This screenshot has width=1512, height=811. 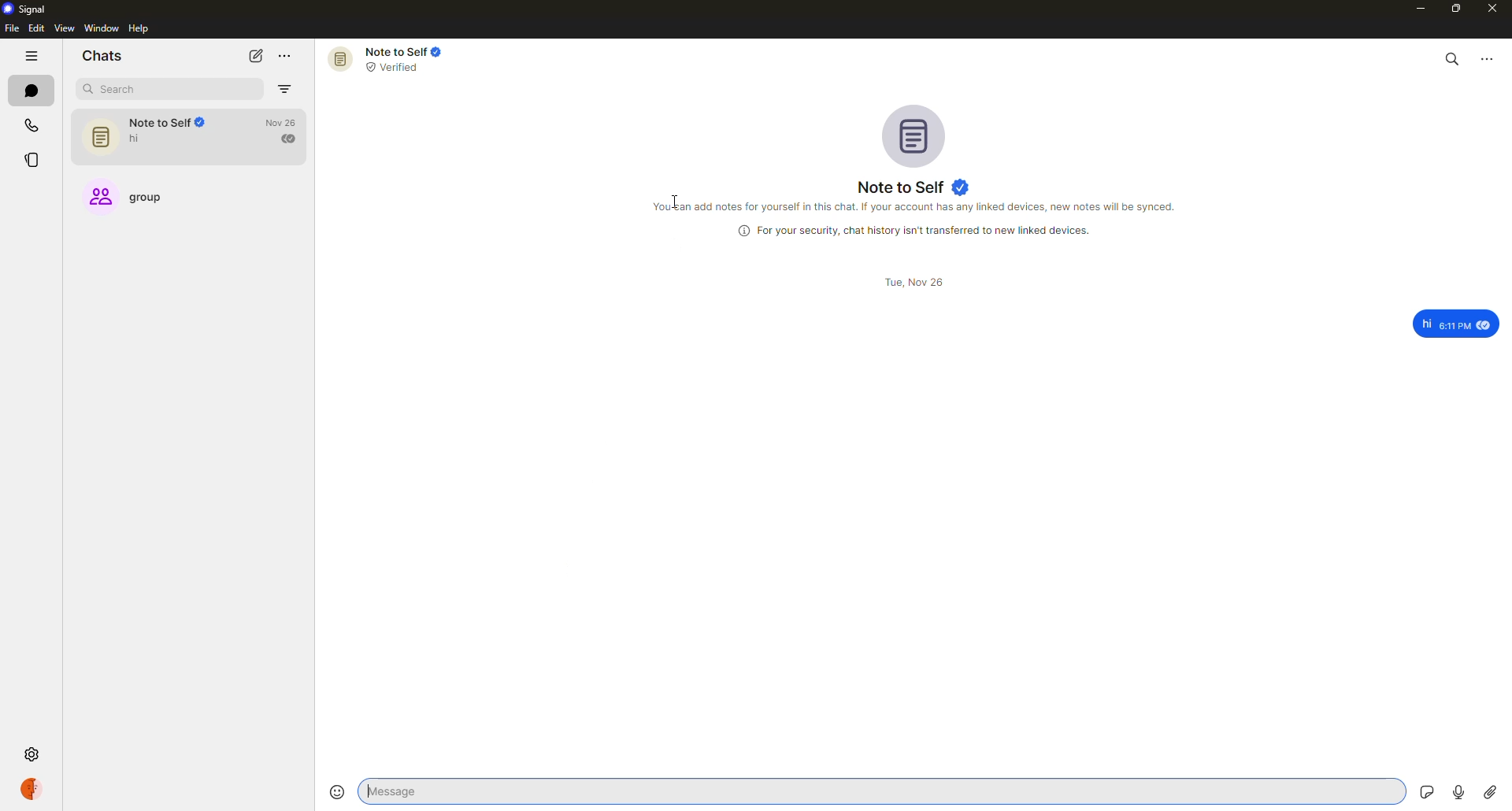 What do you see at coordinates (484, 791) in the screenshot?
I see `message` at bounding box center [484, 791].